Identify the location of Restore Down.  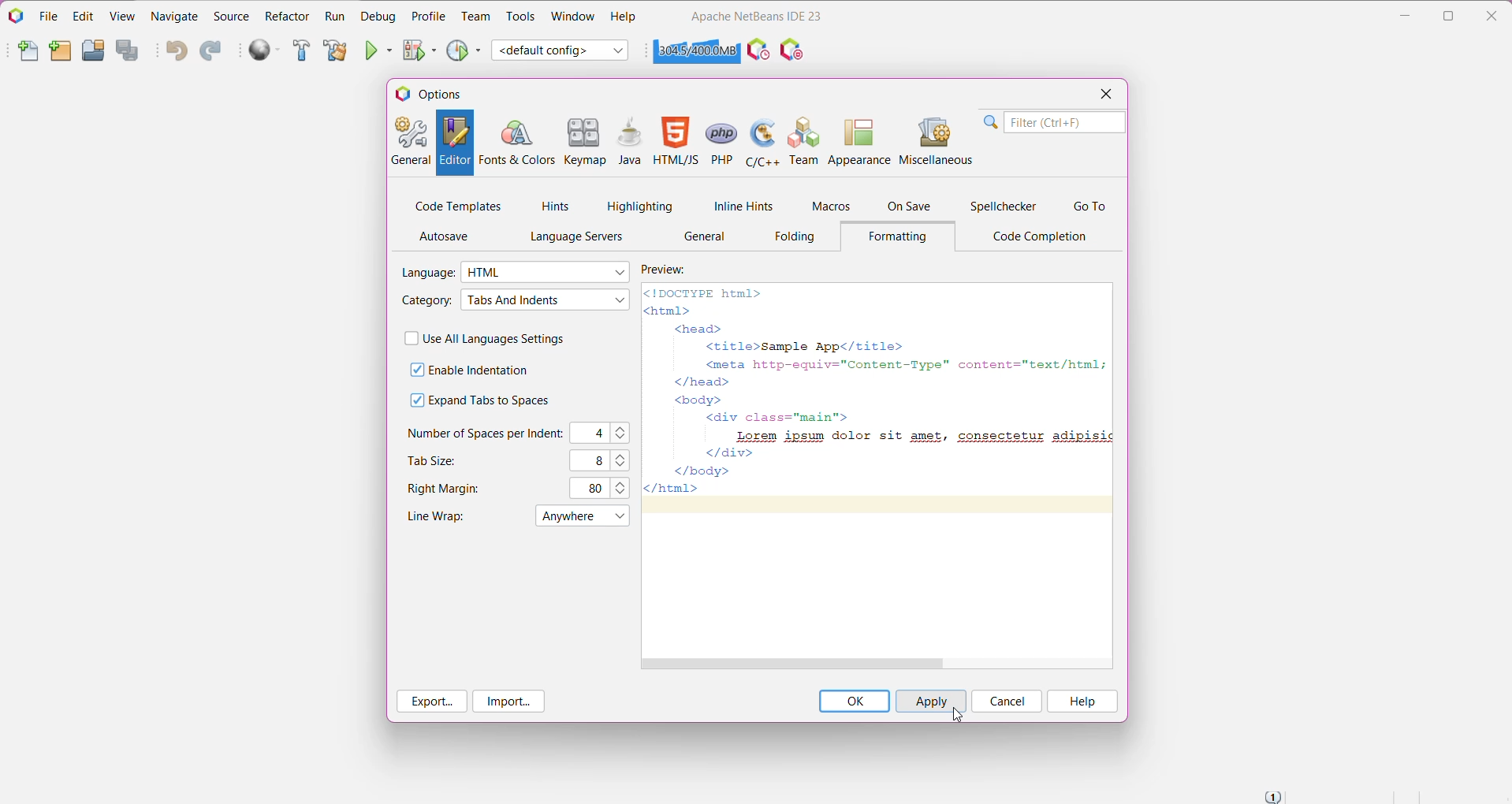
(1451, 16).